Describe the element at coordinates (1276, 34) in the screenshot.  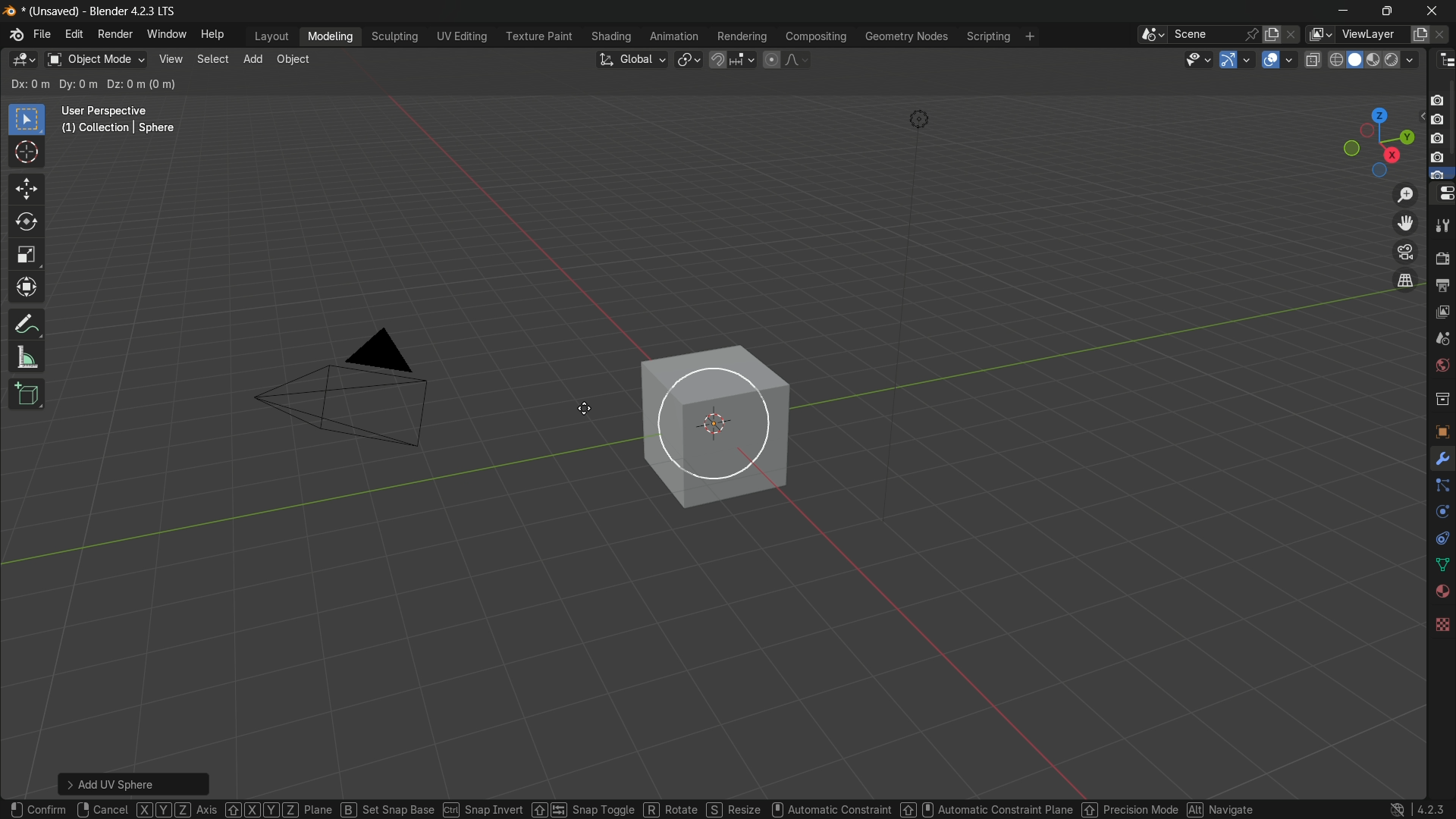
I see `new scene` at that location.